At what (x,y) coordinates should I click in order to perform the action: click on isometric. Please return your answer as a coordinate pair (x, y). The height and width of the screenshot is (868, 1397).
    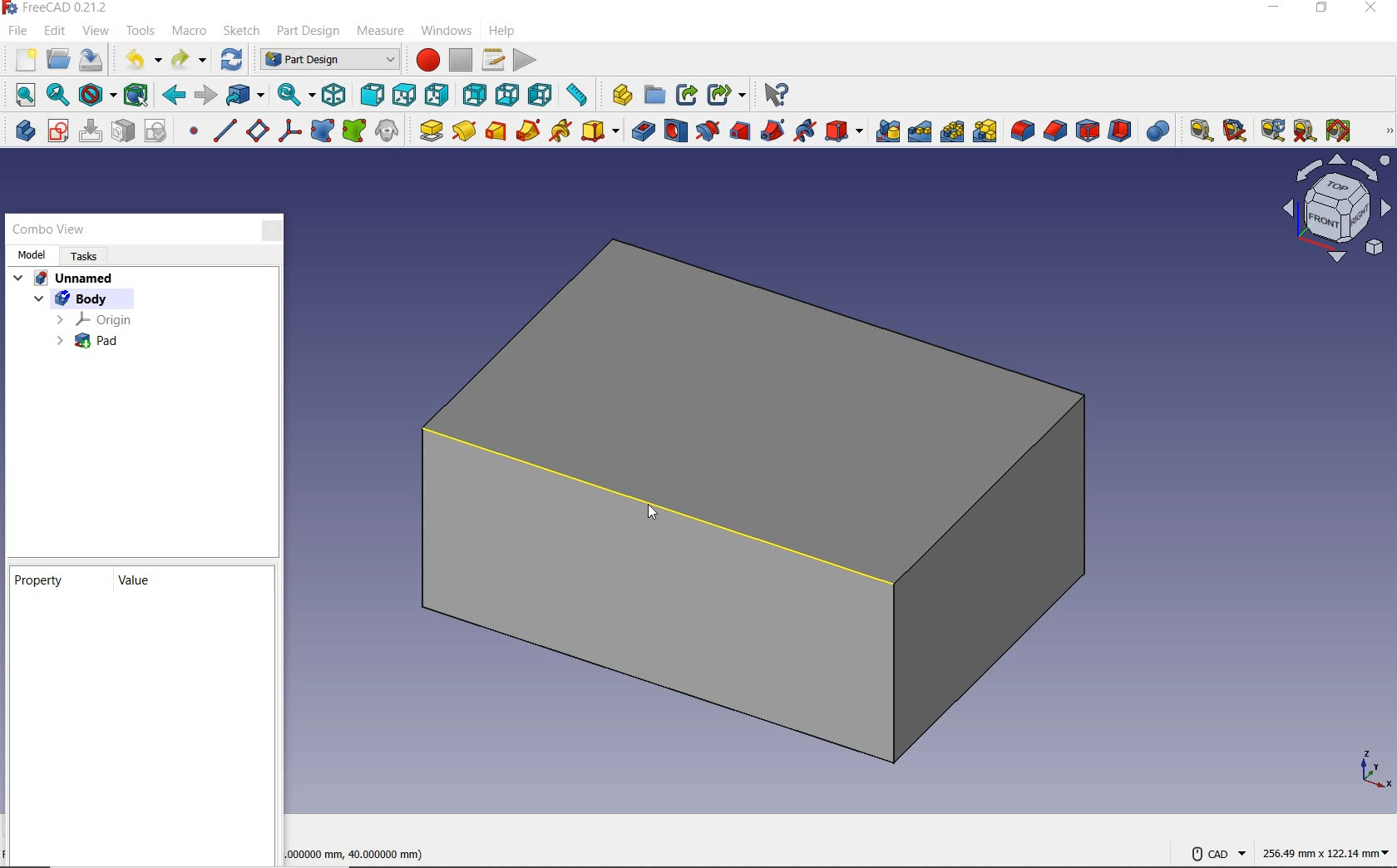
    Looking at the image, I should click on (334, 95).